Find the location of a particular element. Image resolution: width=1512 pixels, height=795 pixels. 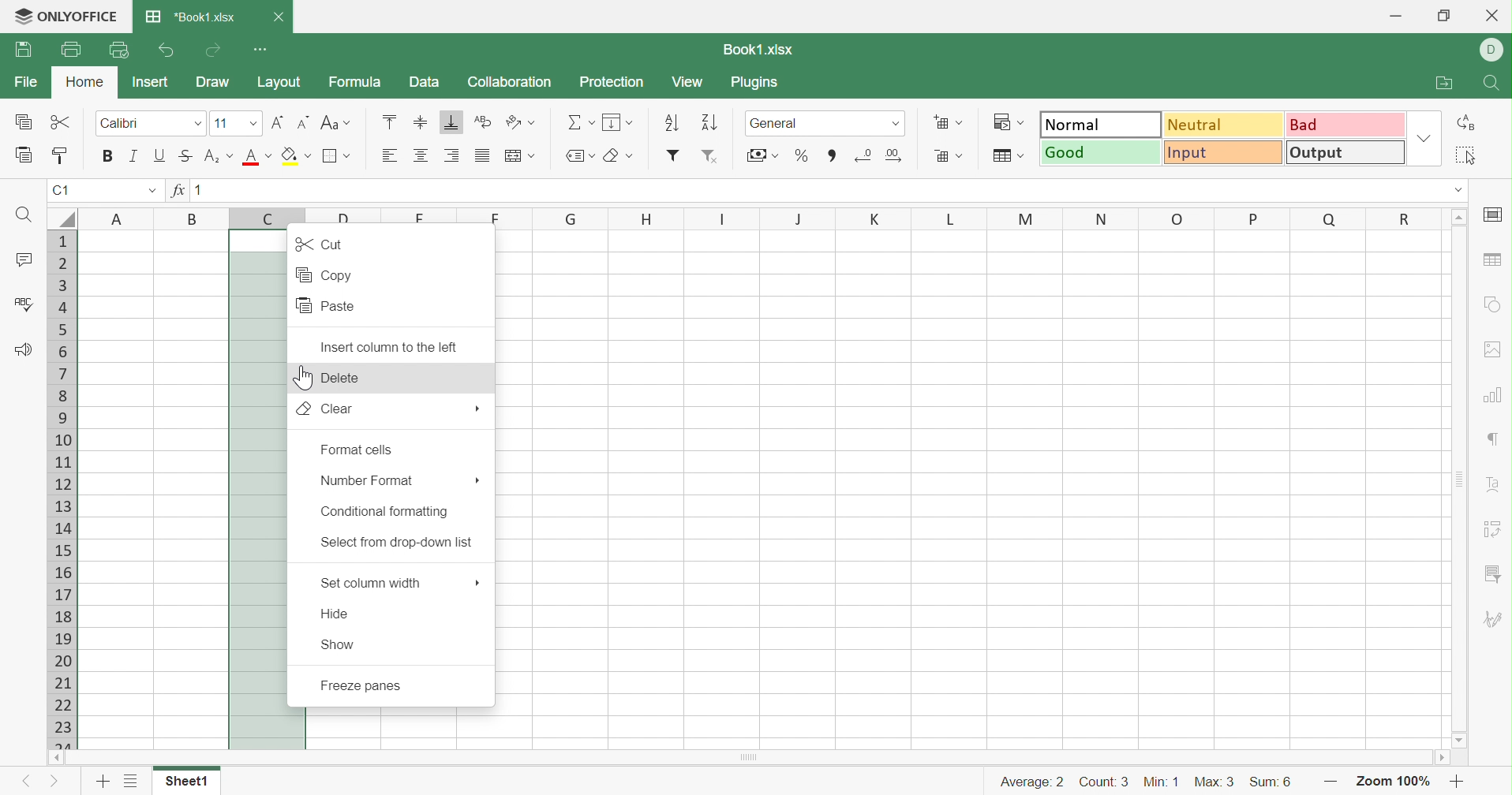

Drop Down is located at coordinates (268, 155).